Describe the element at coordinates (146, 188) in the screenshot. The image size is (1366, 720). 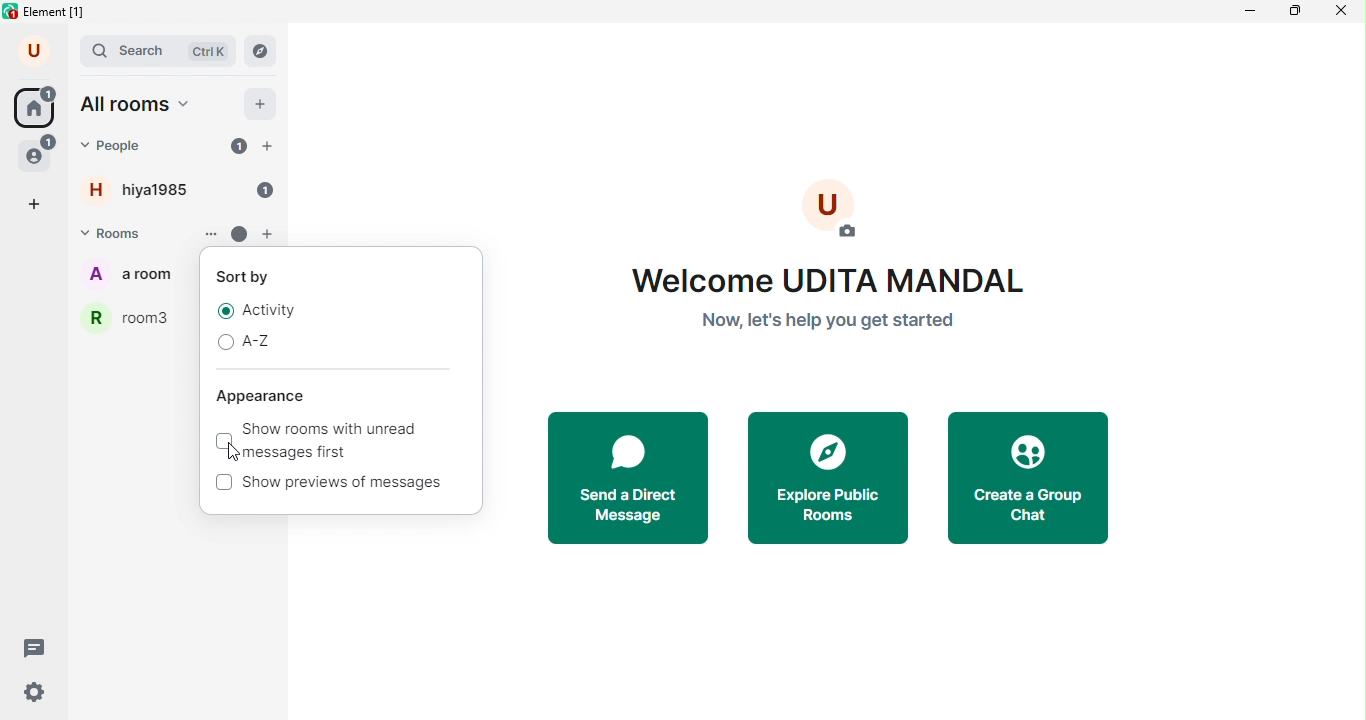
I see `hiya1985` at that location.